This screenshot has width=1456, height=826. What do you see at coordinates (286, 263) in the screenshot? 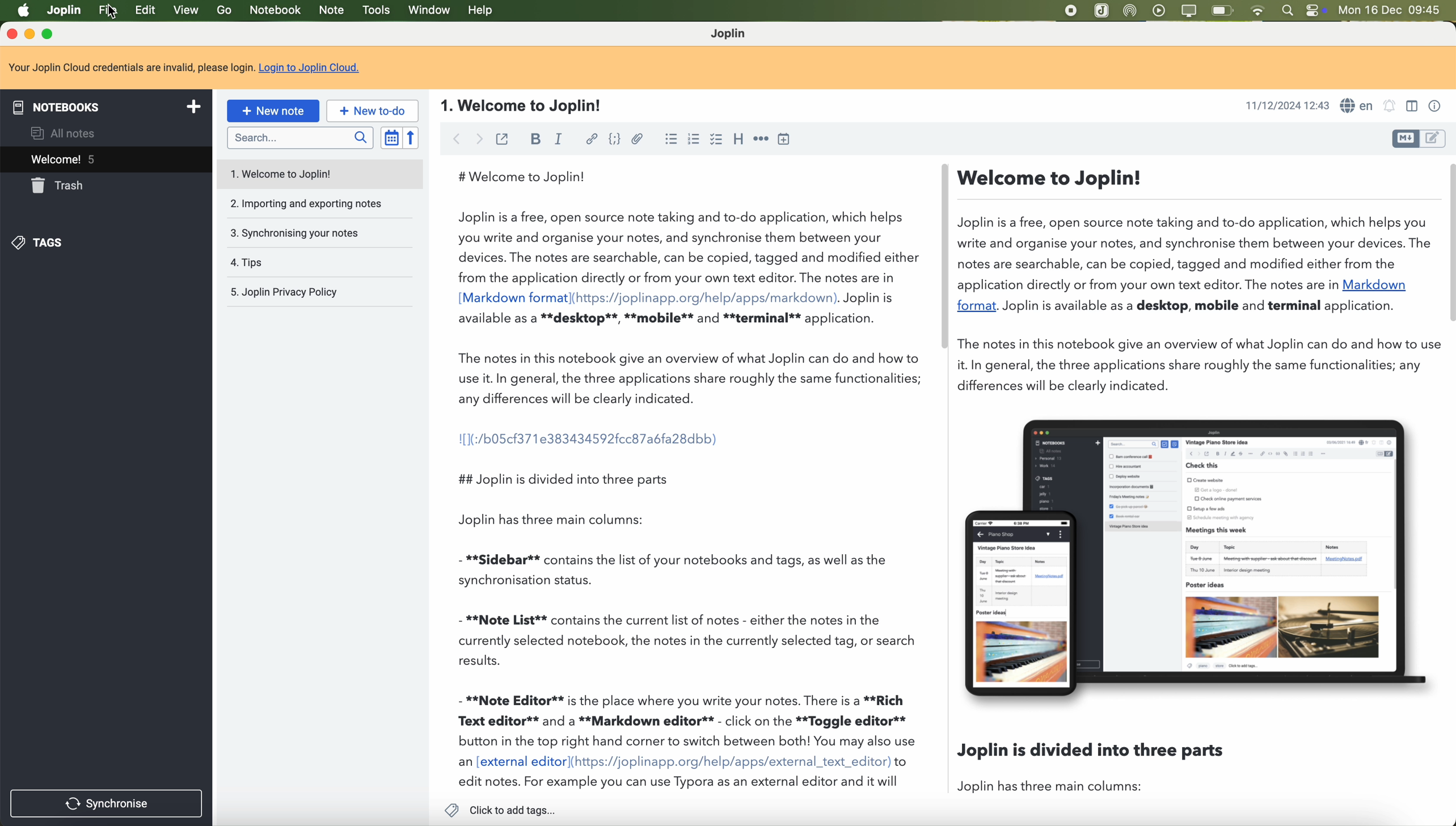
I see `4. Tips` at bounding box center [286, 263].